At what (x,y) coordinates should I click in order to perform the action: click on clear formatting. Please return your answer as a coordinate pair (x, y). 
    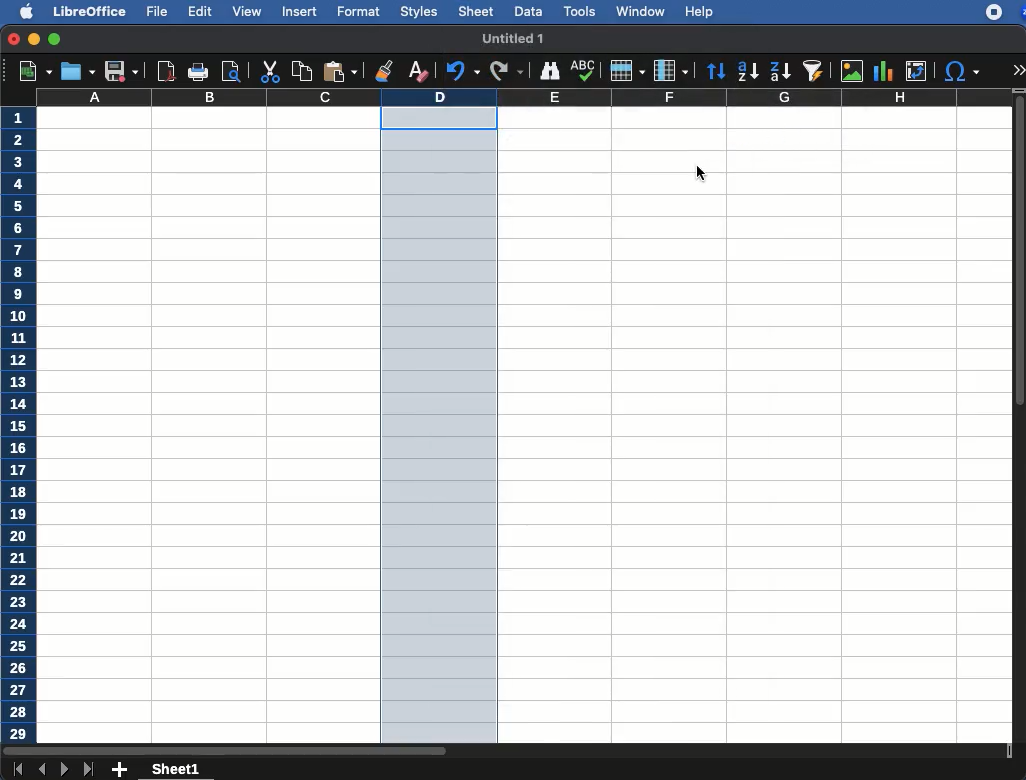
    Looking at the image, I should click on (417, 73).